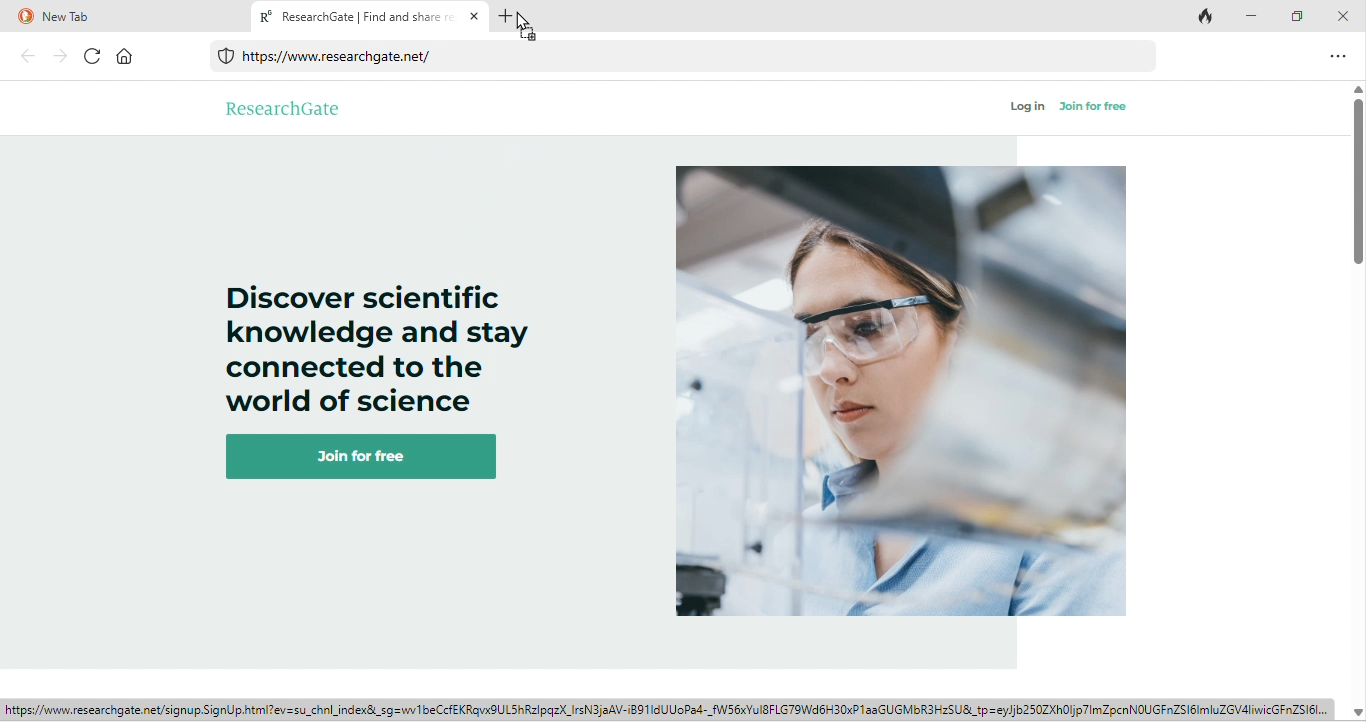 This screenshot has width=1366, height=722. What do you see at coordinates (369, 457) in the screenshot?
I see `join for free` at bounding box center [369, 457].